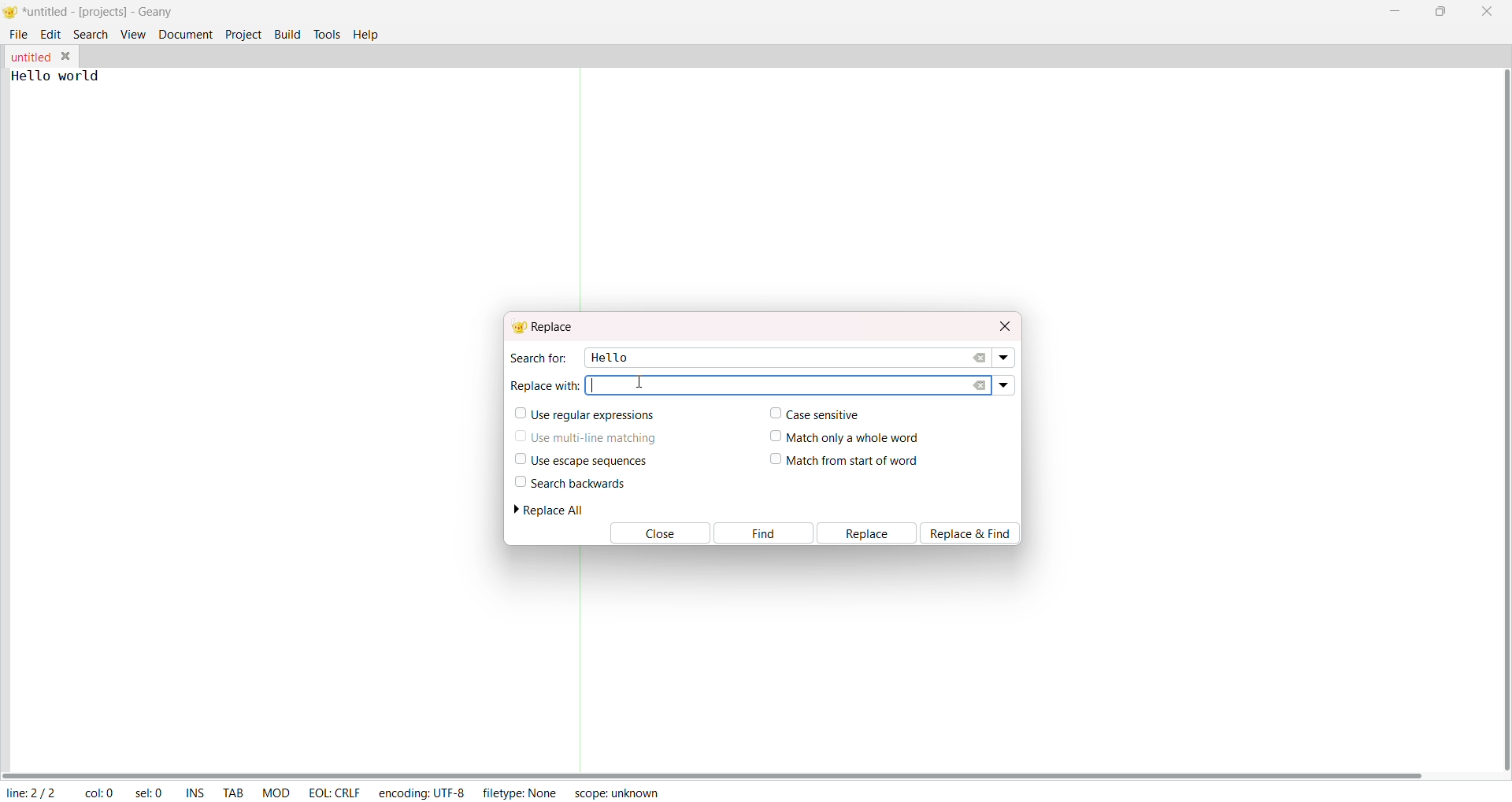  What do you see at coordinates (580, 659) in the screenshot?
I see `Separator` at bounding box center [580, 659].